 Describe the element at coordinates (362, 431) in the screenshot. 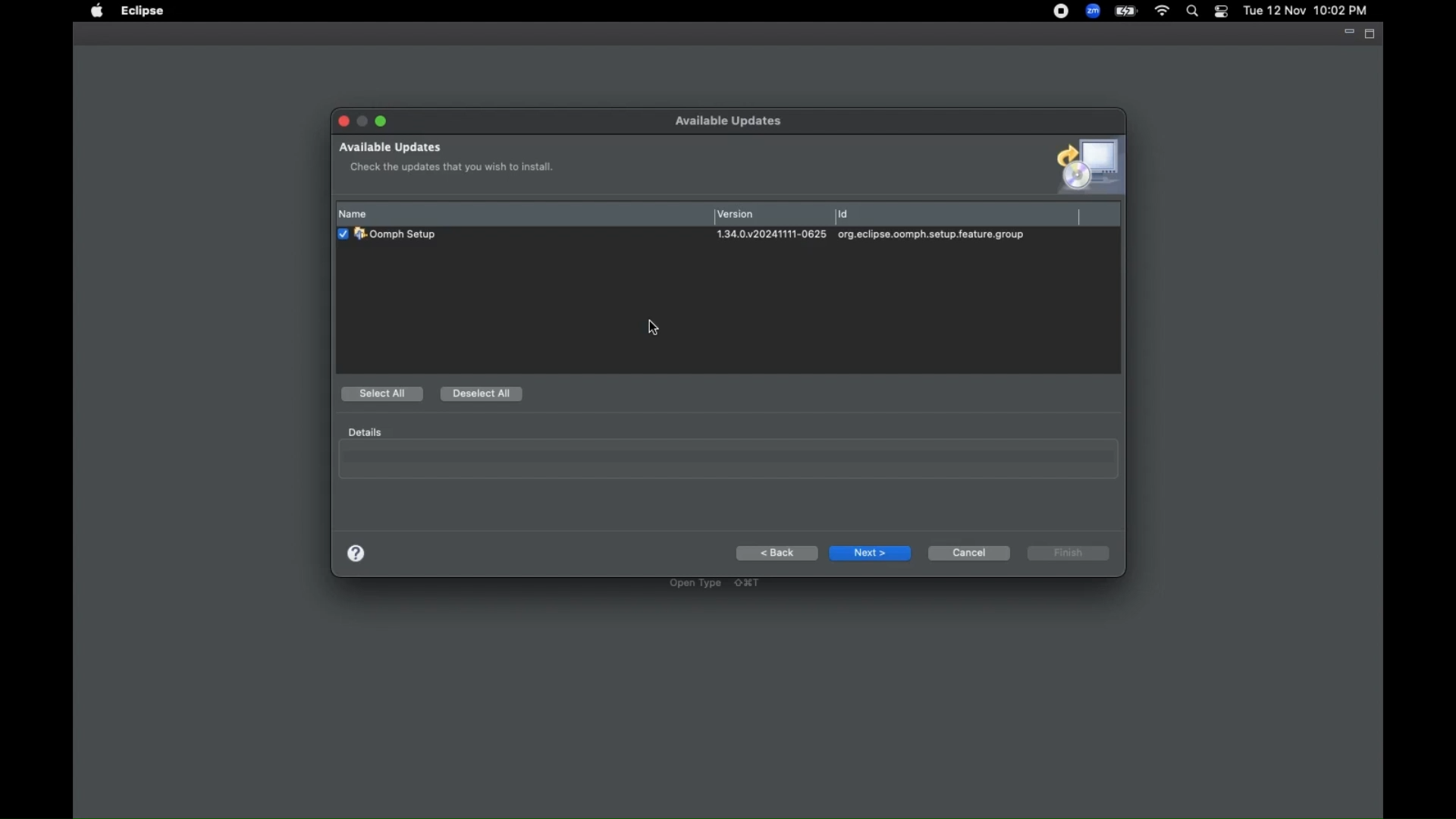

I see `Details` at that location.